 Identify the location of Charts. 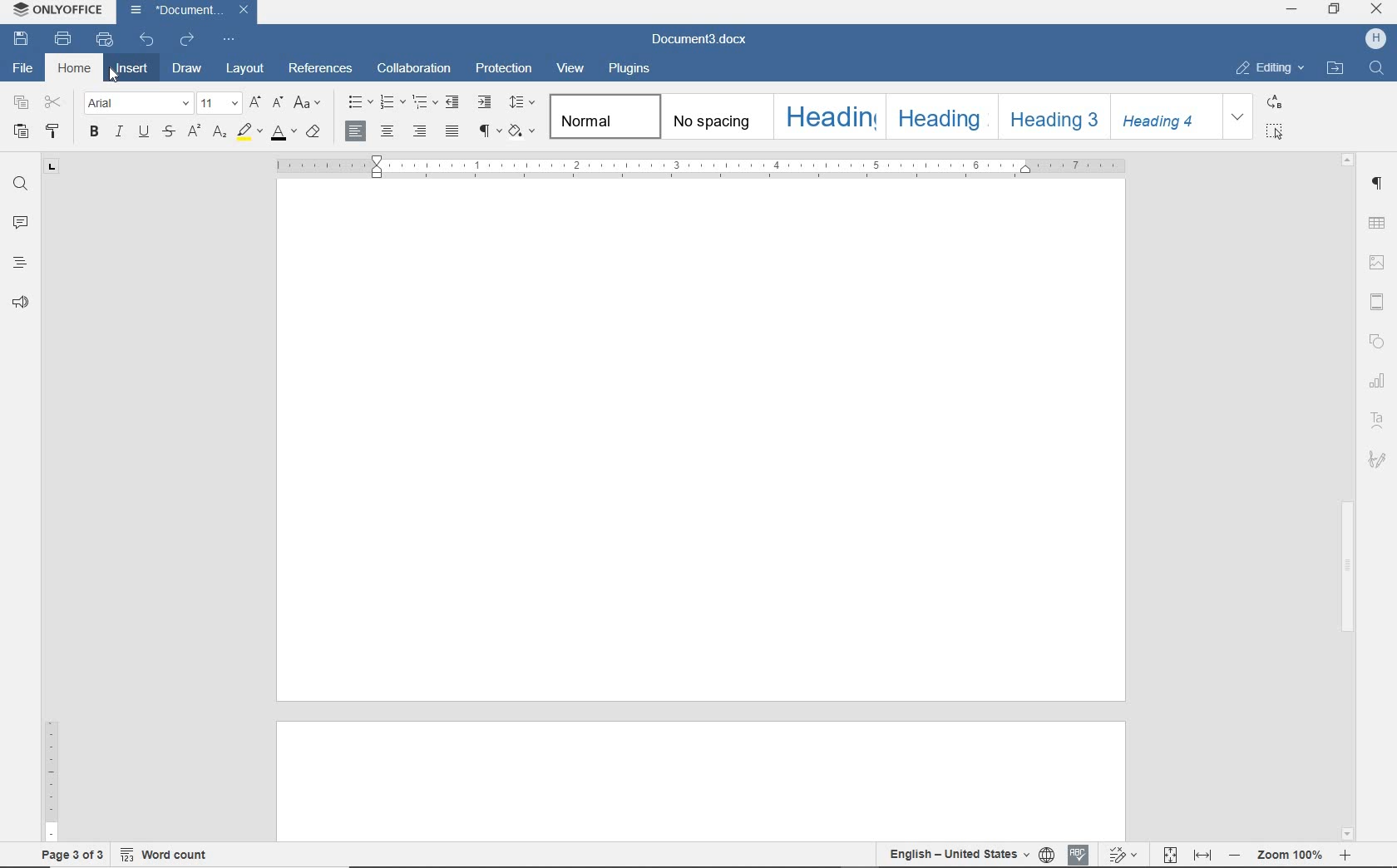
(1377, 377).